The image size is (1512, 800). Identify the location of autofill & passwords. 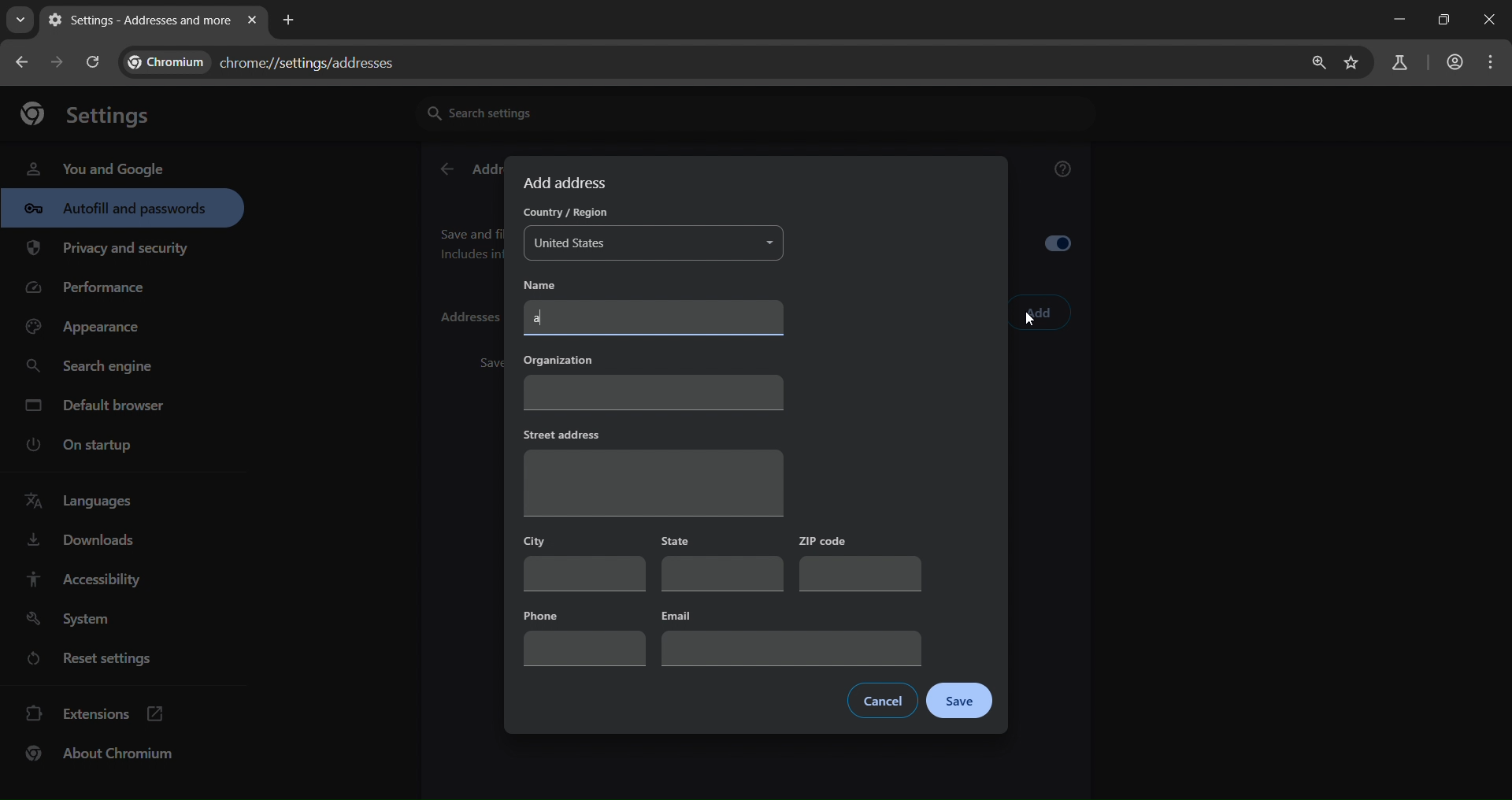
(122, 208).